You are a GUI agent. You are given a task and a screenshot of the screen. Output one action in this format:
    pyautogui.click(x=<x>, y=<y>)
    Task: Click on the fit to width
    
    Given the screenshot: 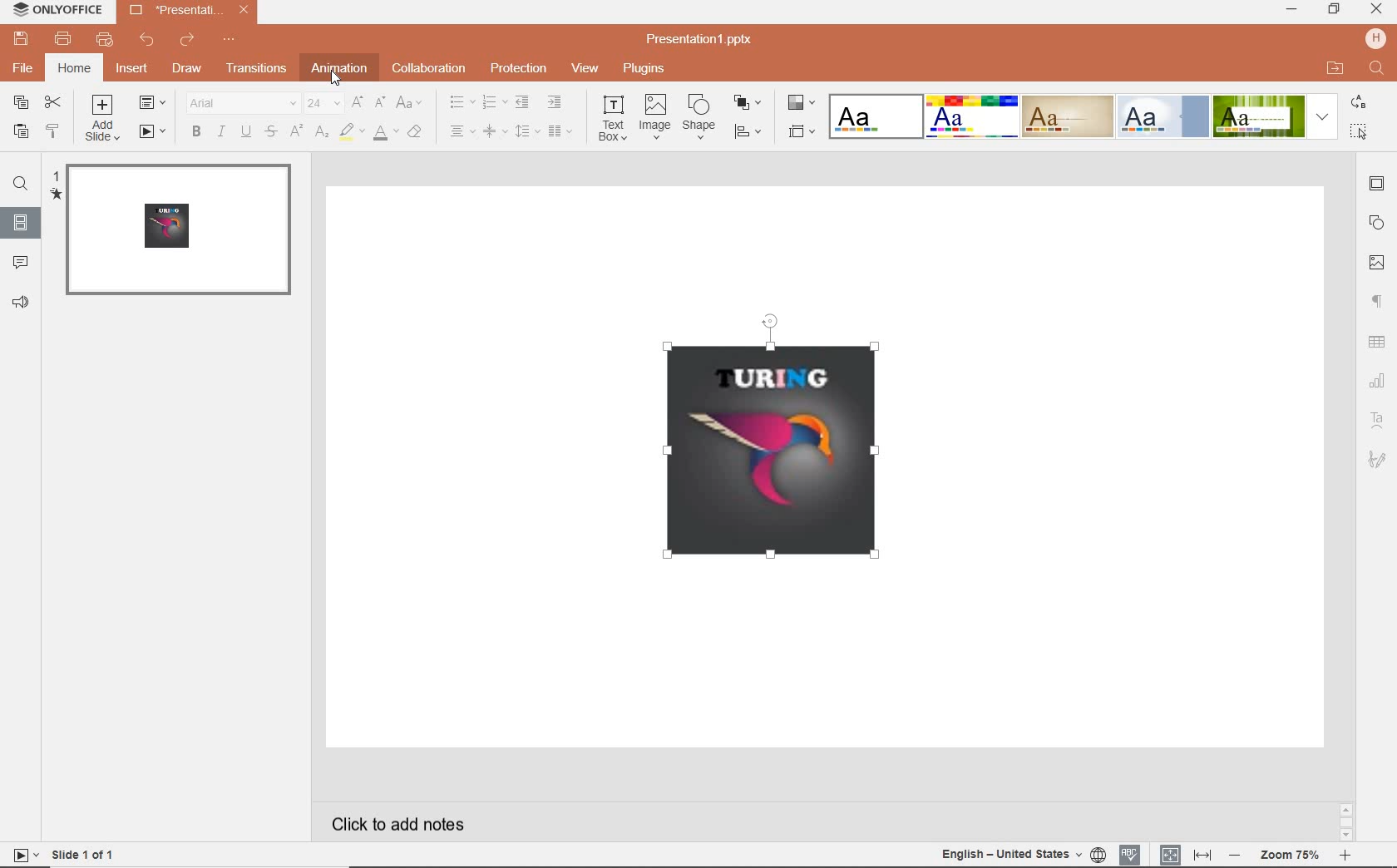 What is the action you would take?
    pyautogui.click(x=1202, y=856)
    